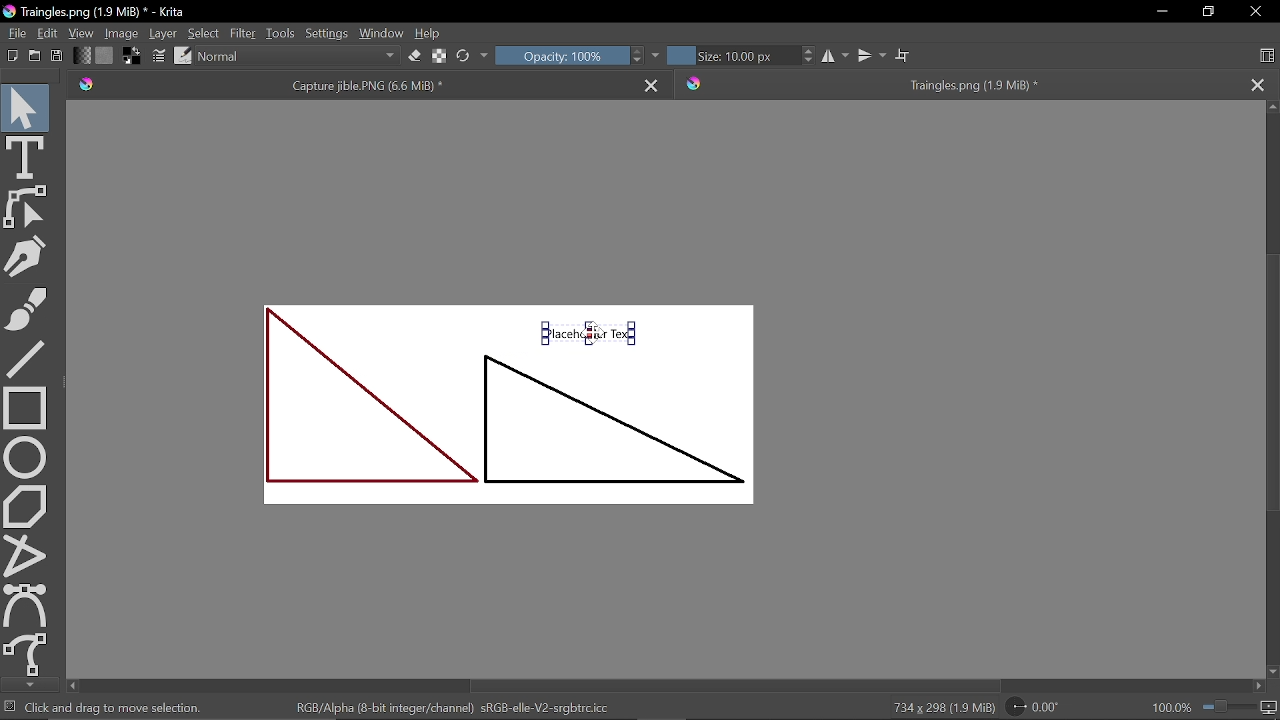  Describe the element at coordinates (163, 33) in the screenshot. I see `Layer` at that location.